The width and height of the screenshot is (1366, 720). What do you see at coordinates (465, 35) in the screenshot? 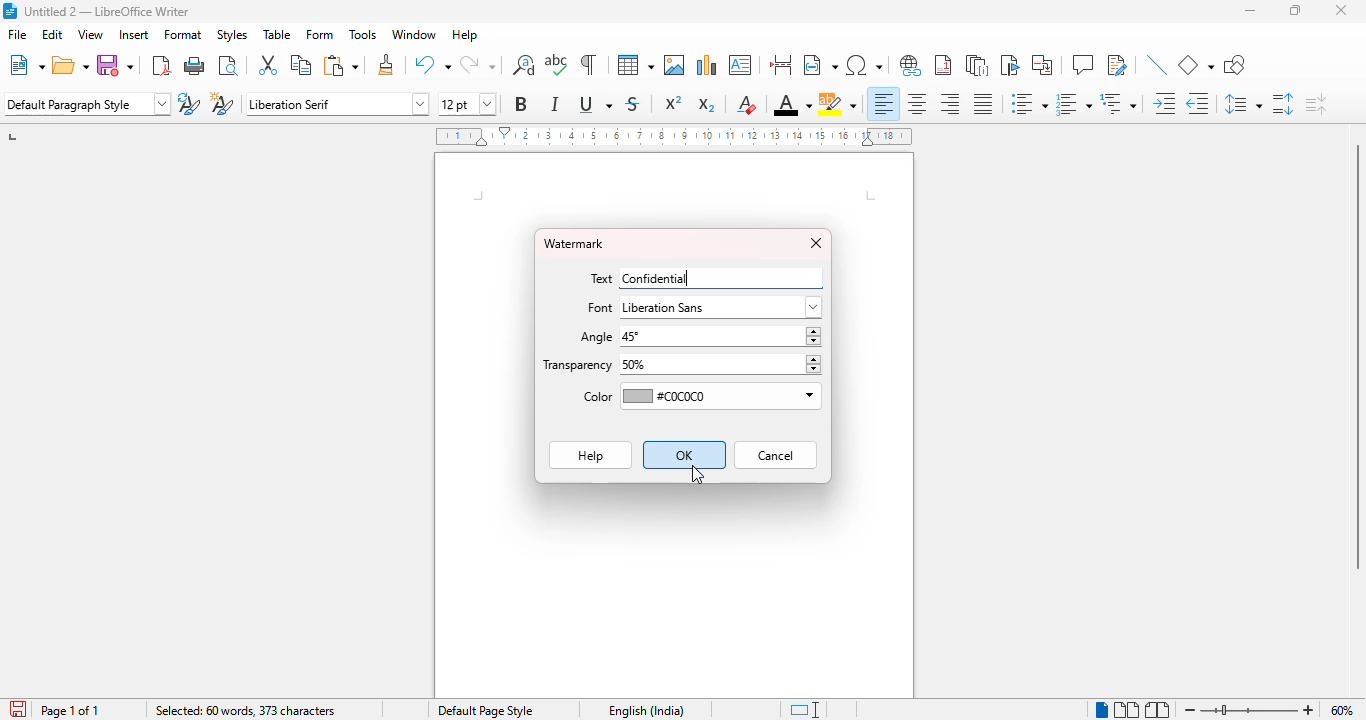
I see `help` at bounding box center [465, 35].